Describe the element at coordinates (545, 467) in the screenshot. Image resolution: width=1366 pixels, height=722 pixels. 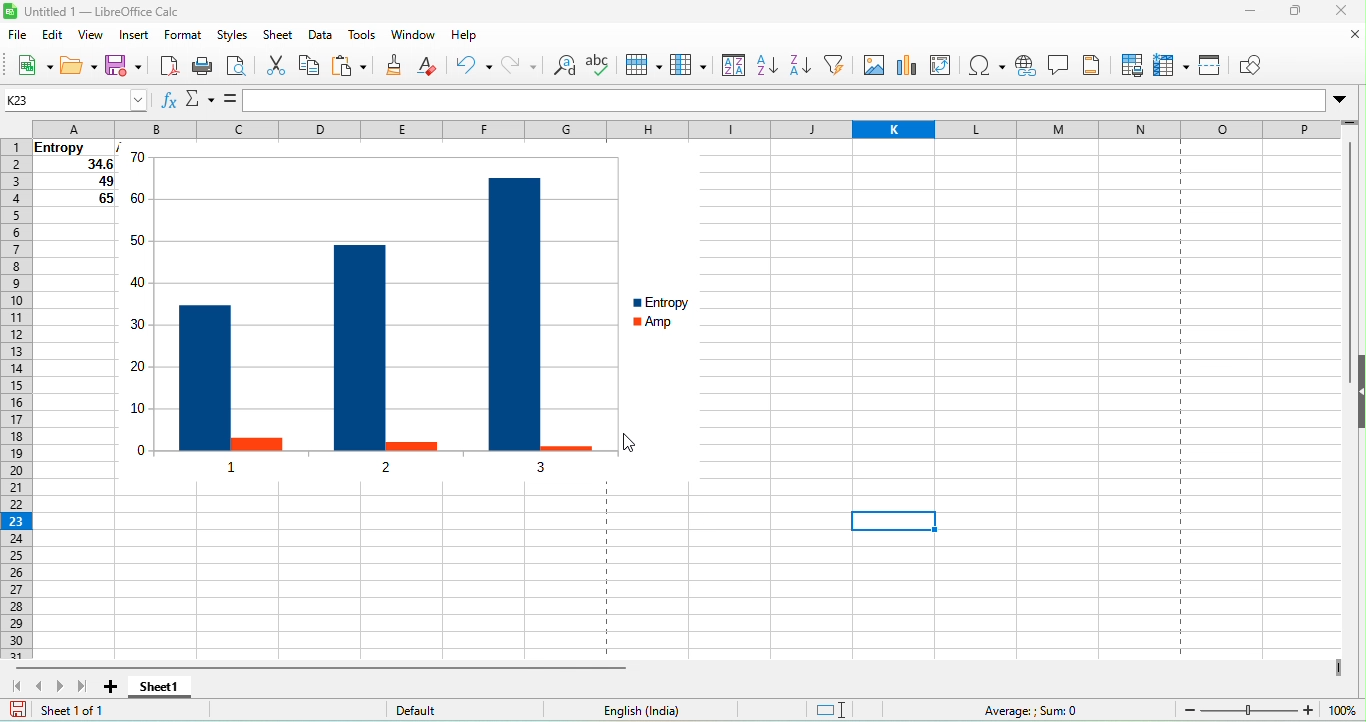
I see `3` at that location.